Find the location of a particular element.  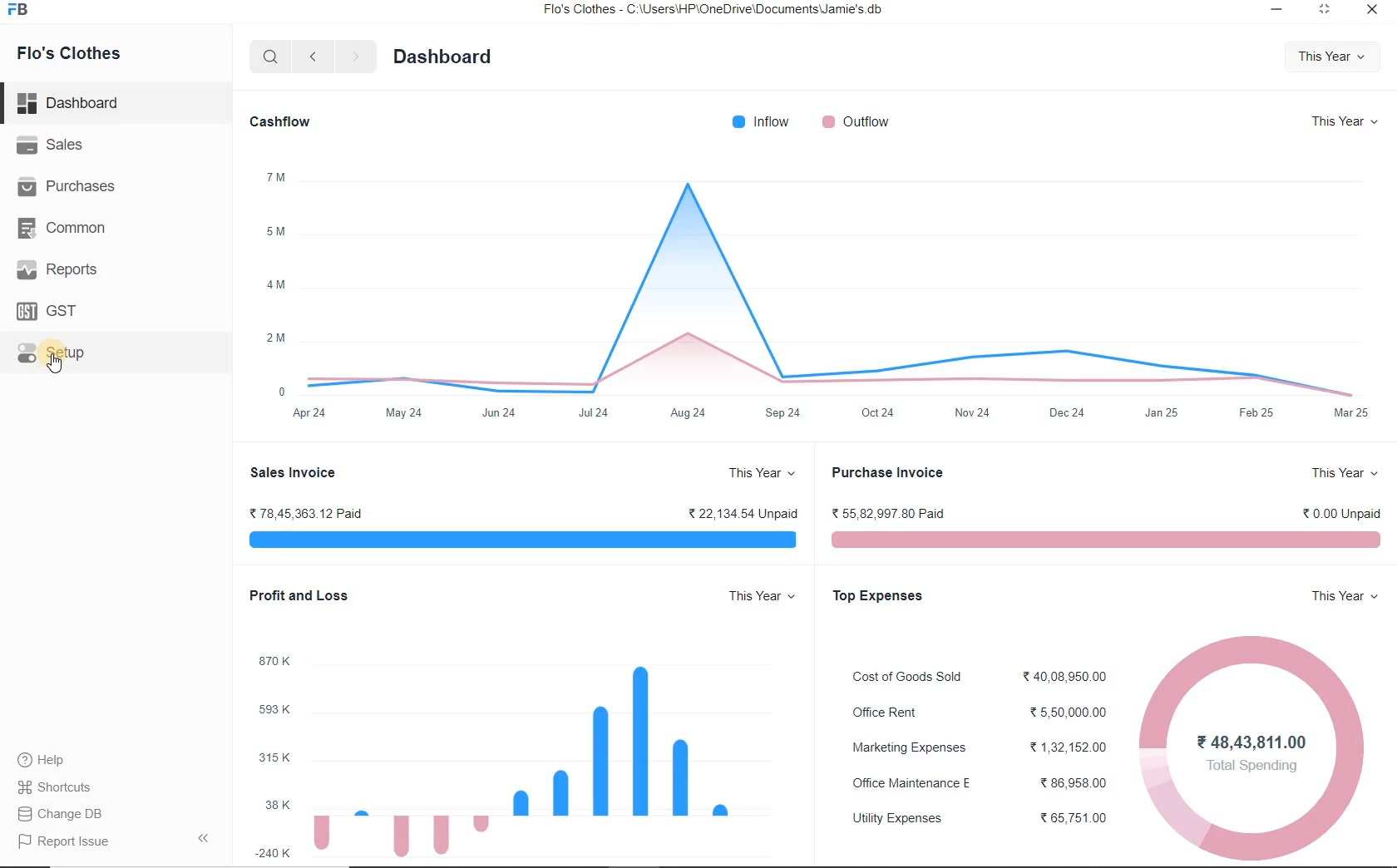

315 K is located at coordinates (278, 753).